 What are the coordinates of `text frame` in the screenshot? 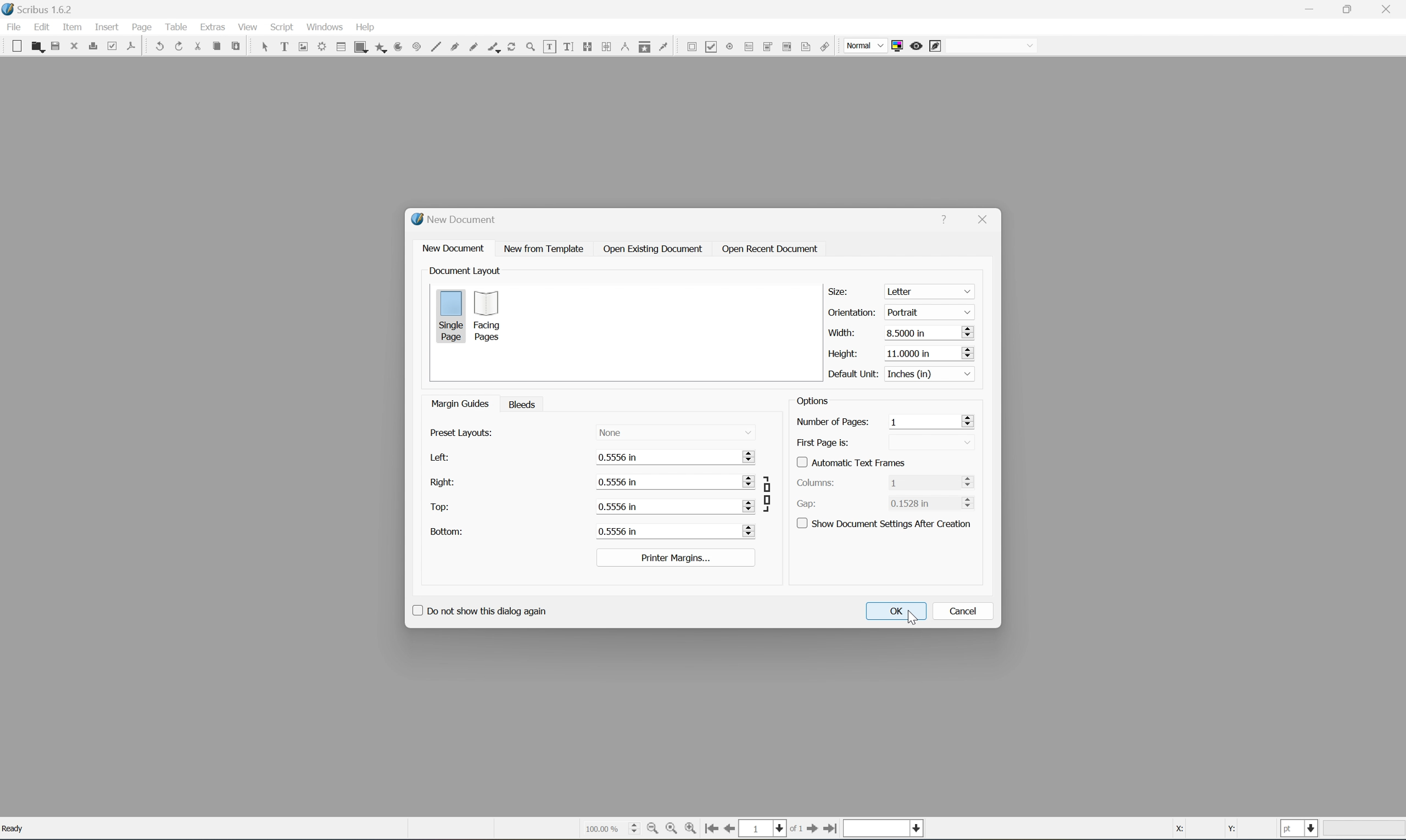 It's located at (283, 46).